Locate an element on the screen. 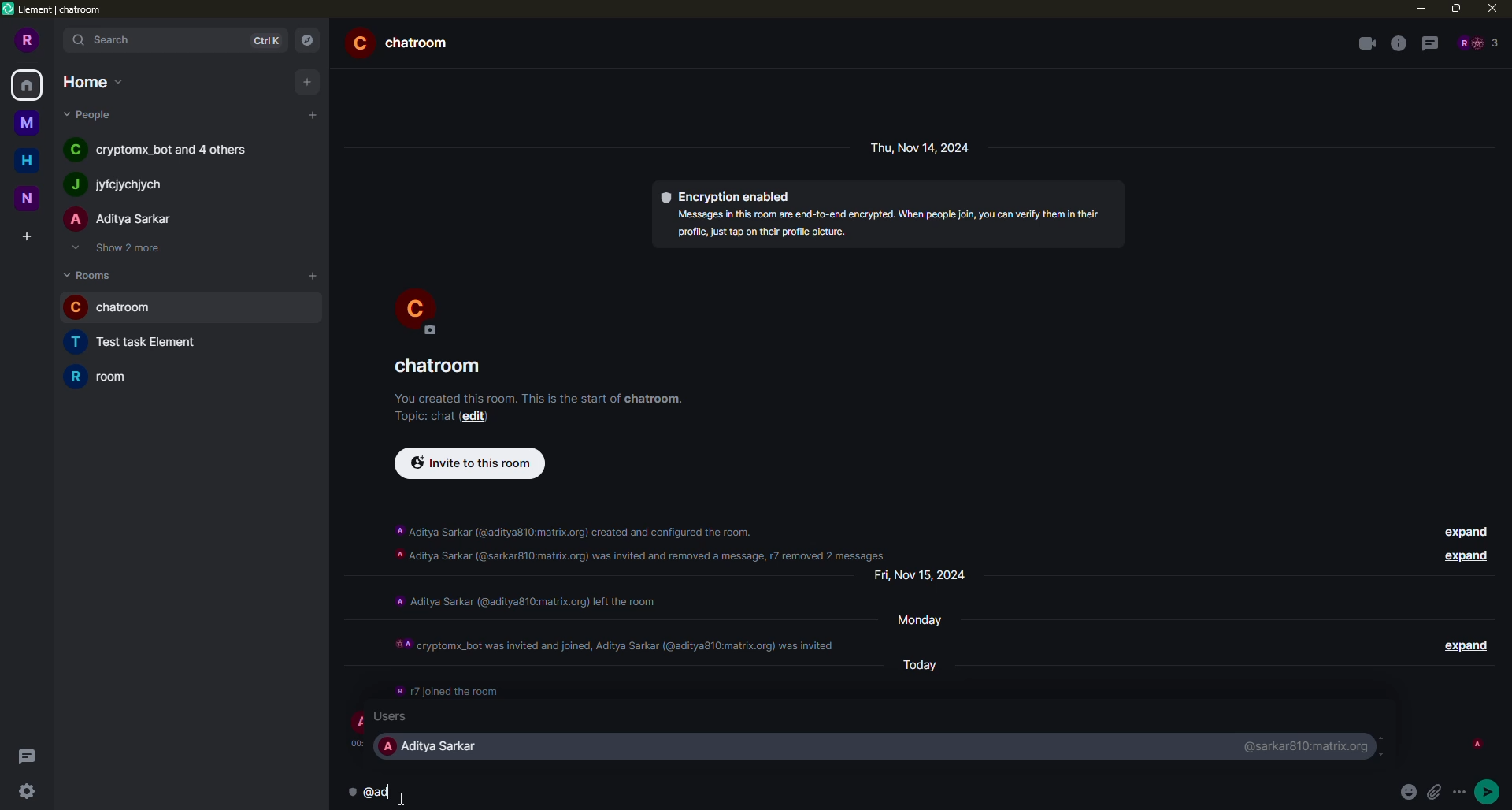 Image resolution: width=1512 pixels, height=810 pixels. profile is located at coordinates (28, 39).